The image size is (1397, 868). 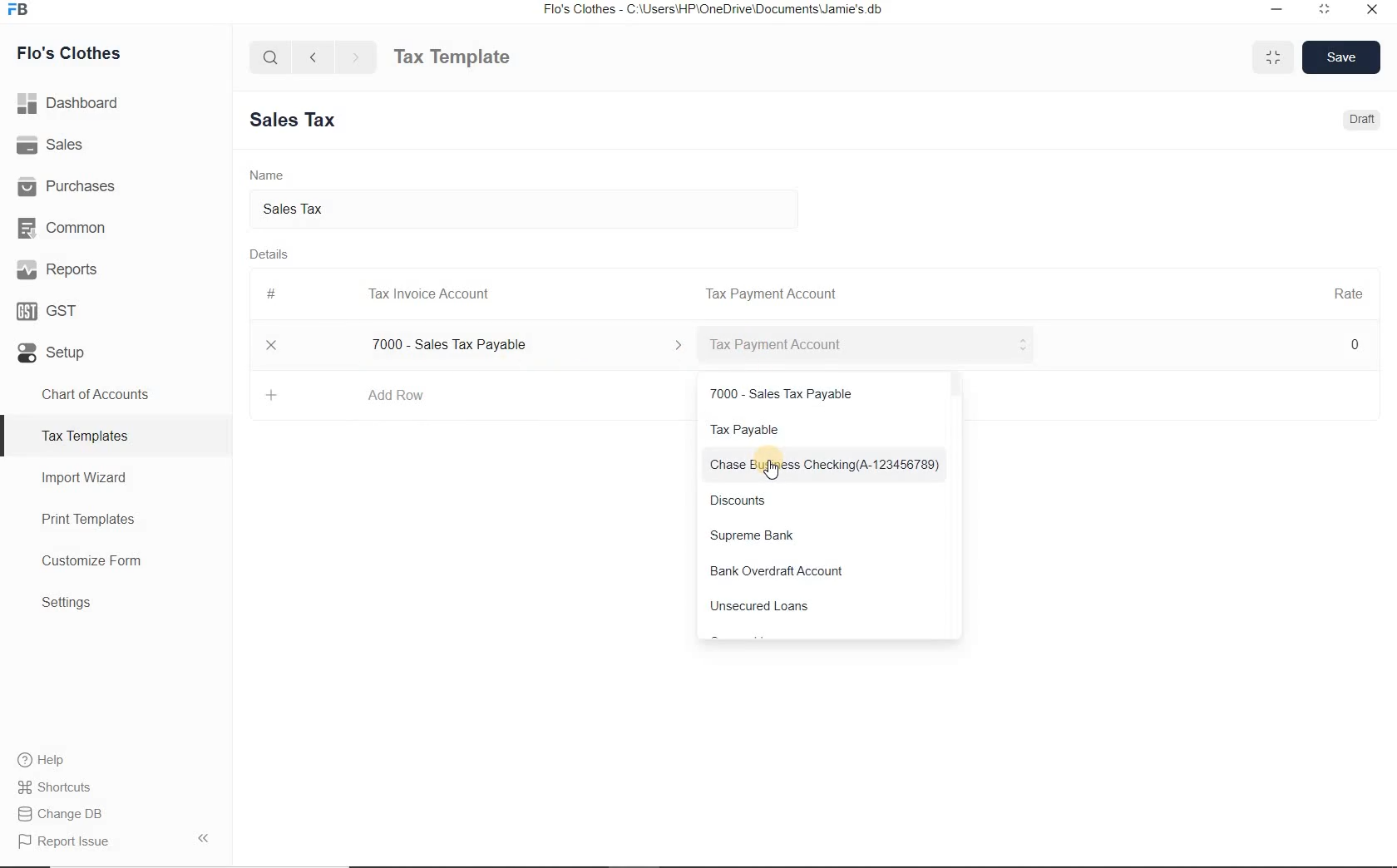 I want to click on Tax Template, so click(x=452, y=57).